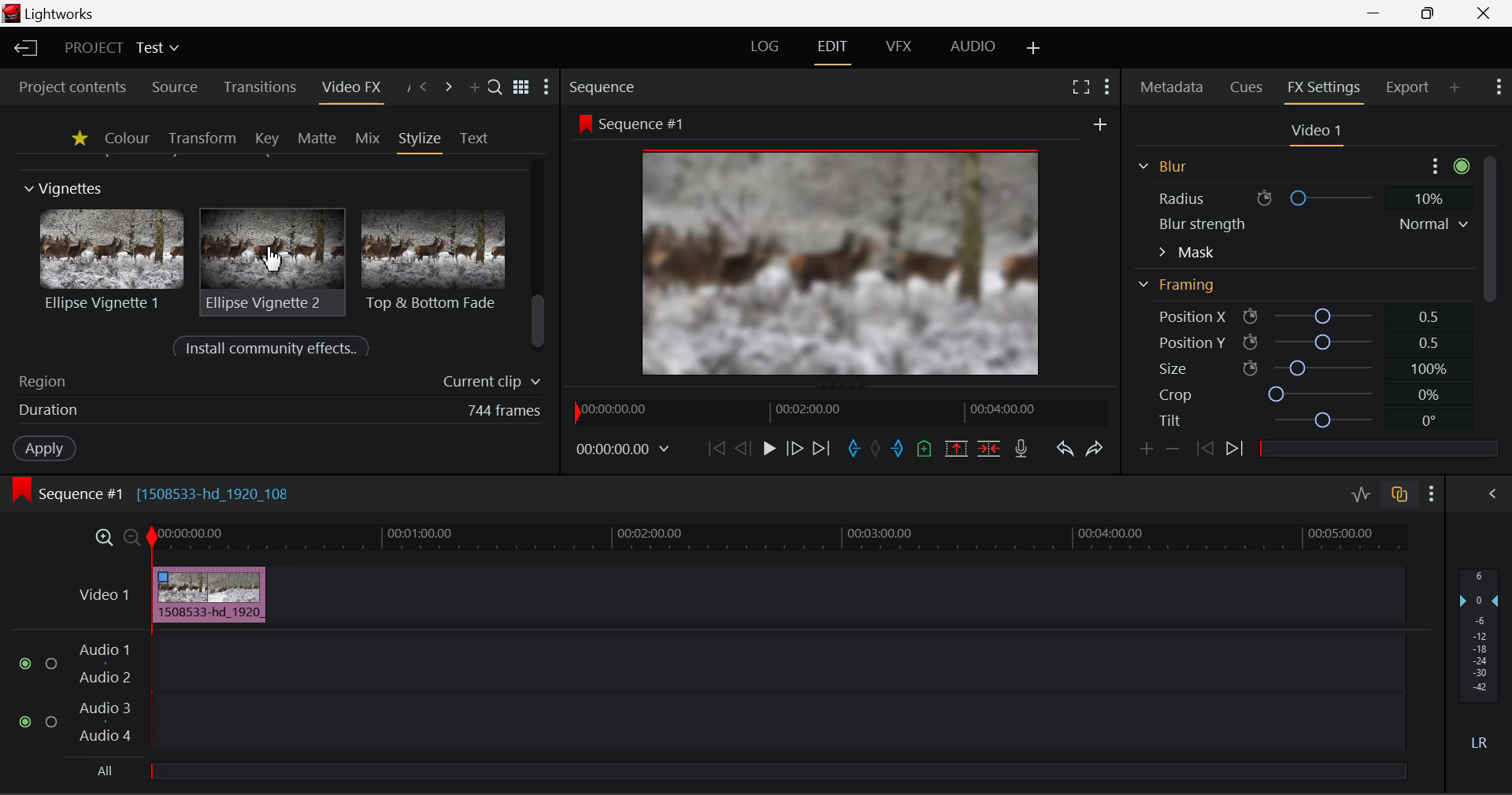 This screenshot has width=1512, height=795. I want to click on Timeline Zoom Out, so click(131, 536).